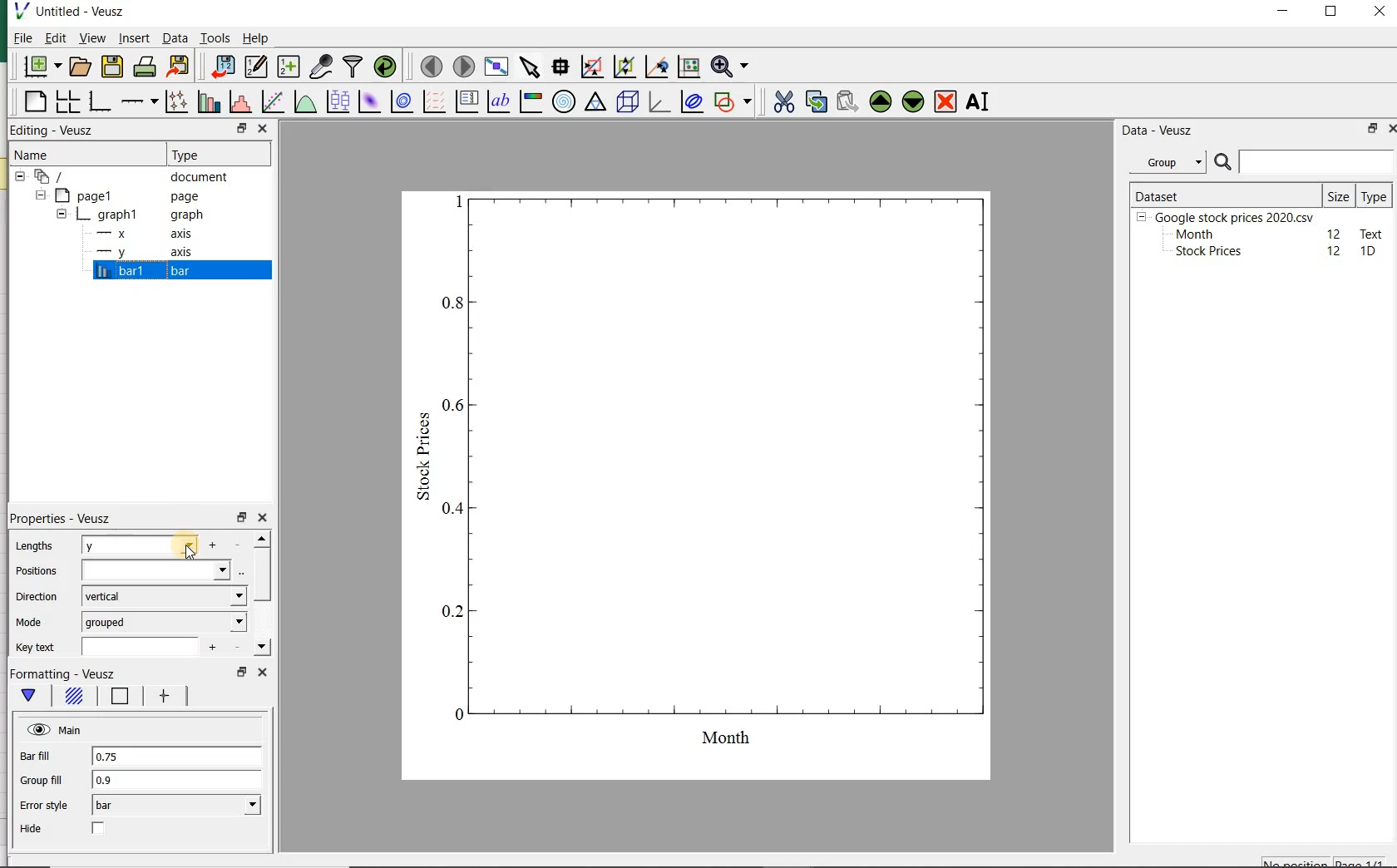 The width and height of the screenshot is (1397, 868). What do you see at coordinates (220, 67) in the screenshot?
I see `import data into Veusz` at bounding box center [220, 67].